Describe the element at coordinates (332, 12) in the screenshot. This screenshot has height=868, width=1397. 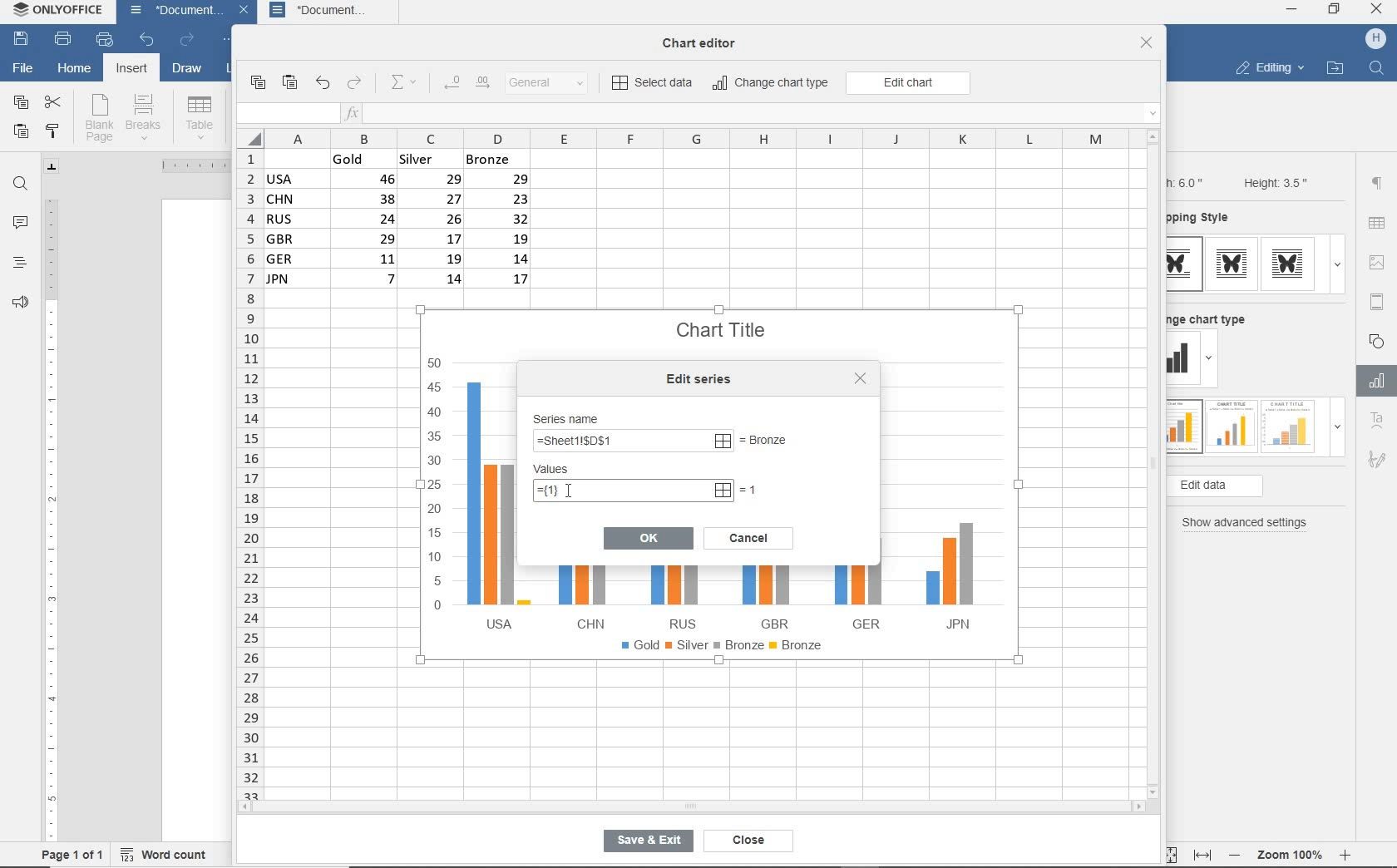
I see `document` at that location.